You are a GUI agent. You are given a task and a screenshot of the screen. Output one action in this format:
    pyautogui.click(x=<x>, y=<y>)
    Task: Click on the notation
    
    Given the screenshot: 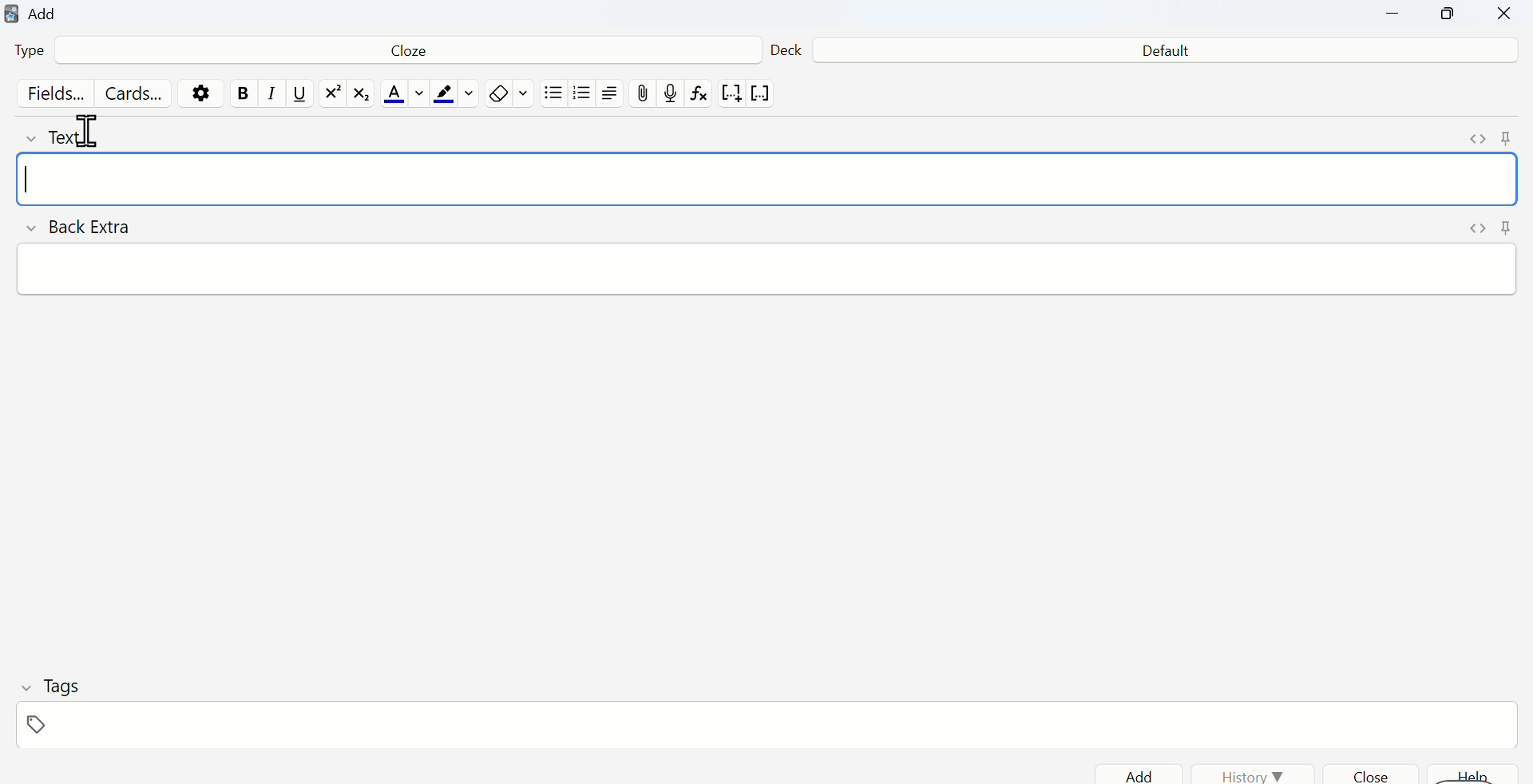 What is the action you would take?
    pyautogui.click(x=731, y=96)
    